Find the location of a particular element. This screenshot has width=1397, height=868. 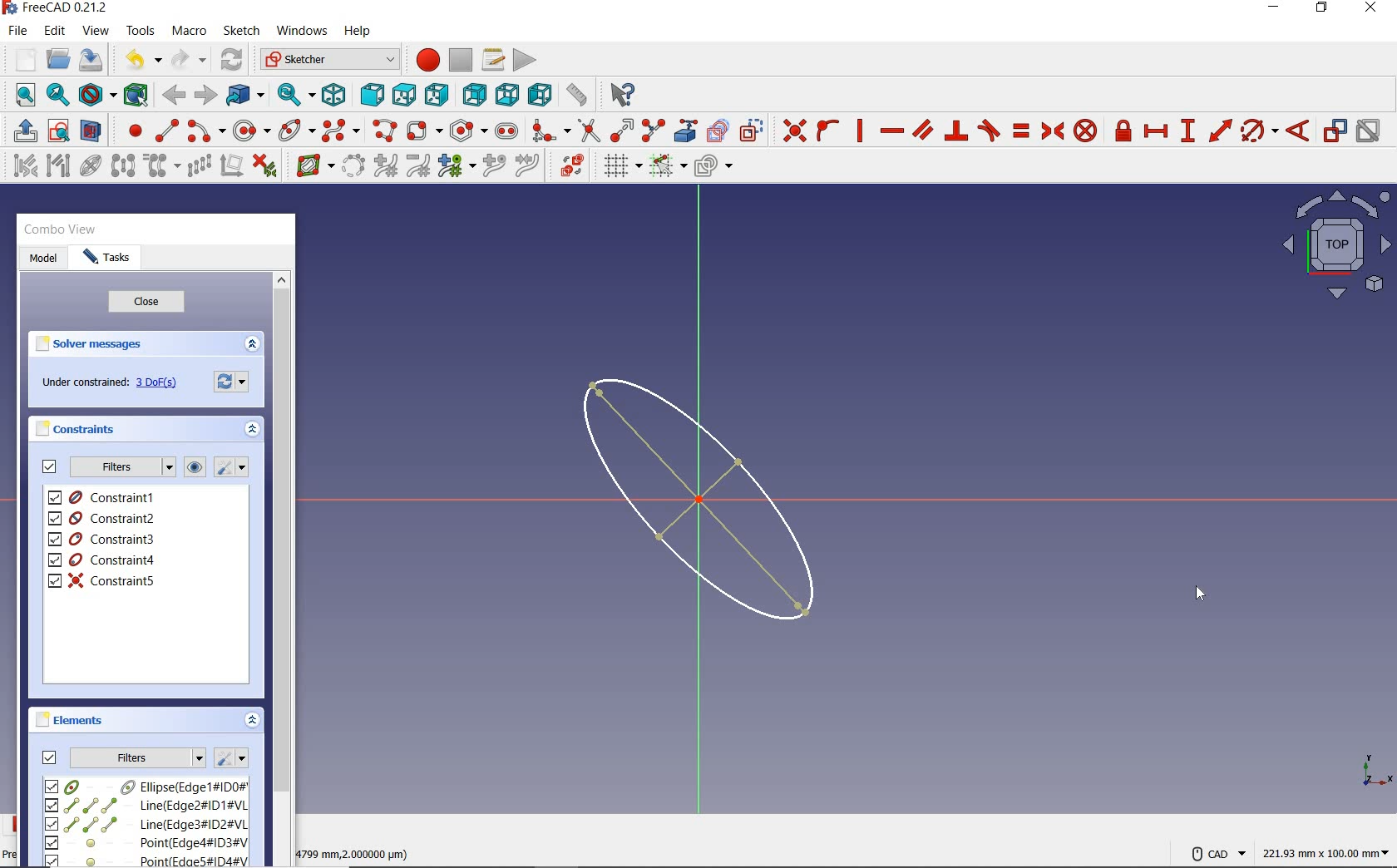

edit is located at coordinates (54, 32).